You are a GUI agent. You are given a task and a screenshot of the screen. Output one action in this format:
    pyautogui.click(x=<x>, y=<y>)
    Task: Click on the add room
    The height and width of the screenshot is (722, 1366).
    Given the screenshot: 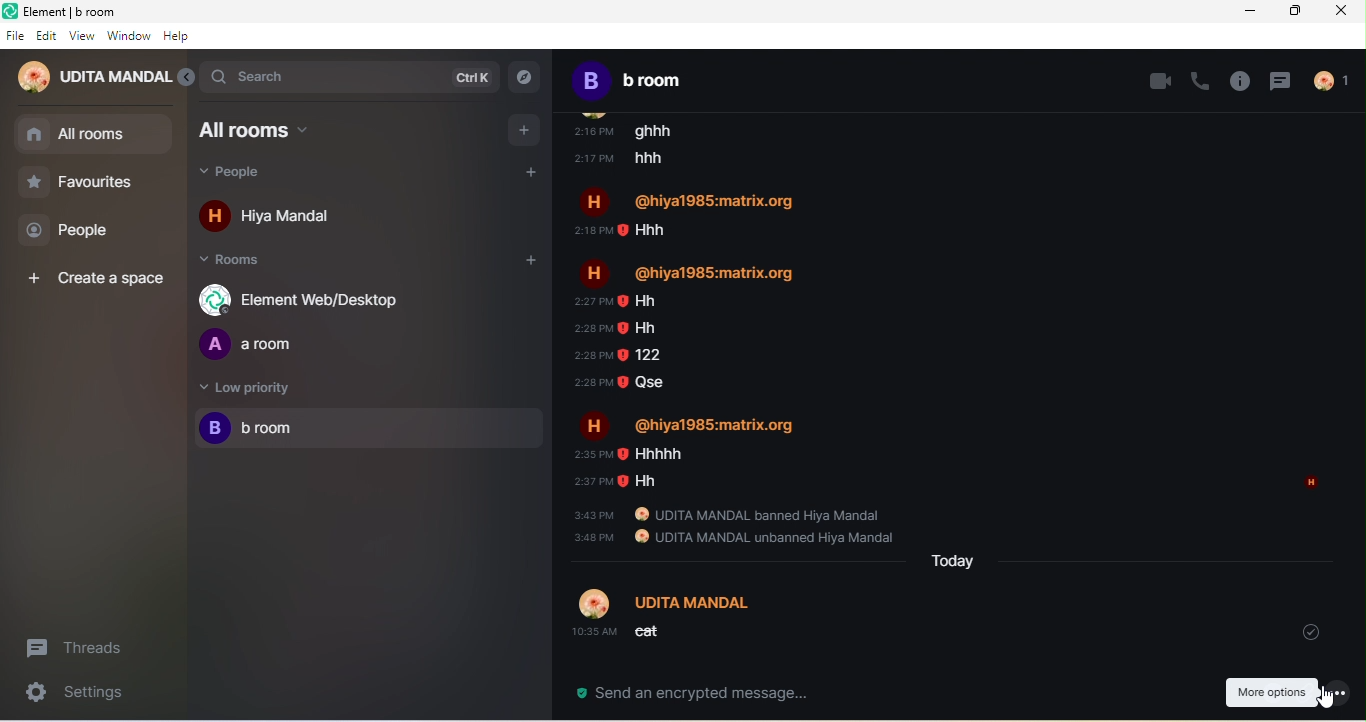 What is the action you would take?
    pyautogui.click(x=525, y=130)
    